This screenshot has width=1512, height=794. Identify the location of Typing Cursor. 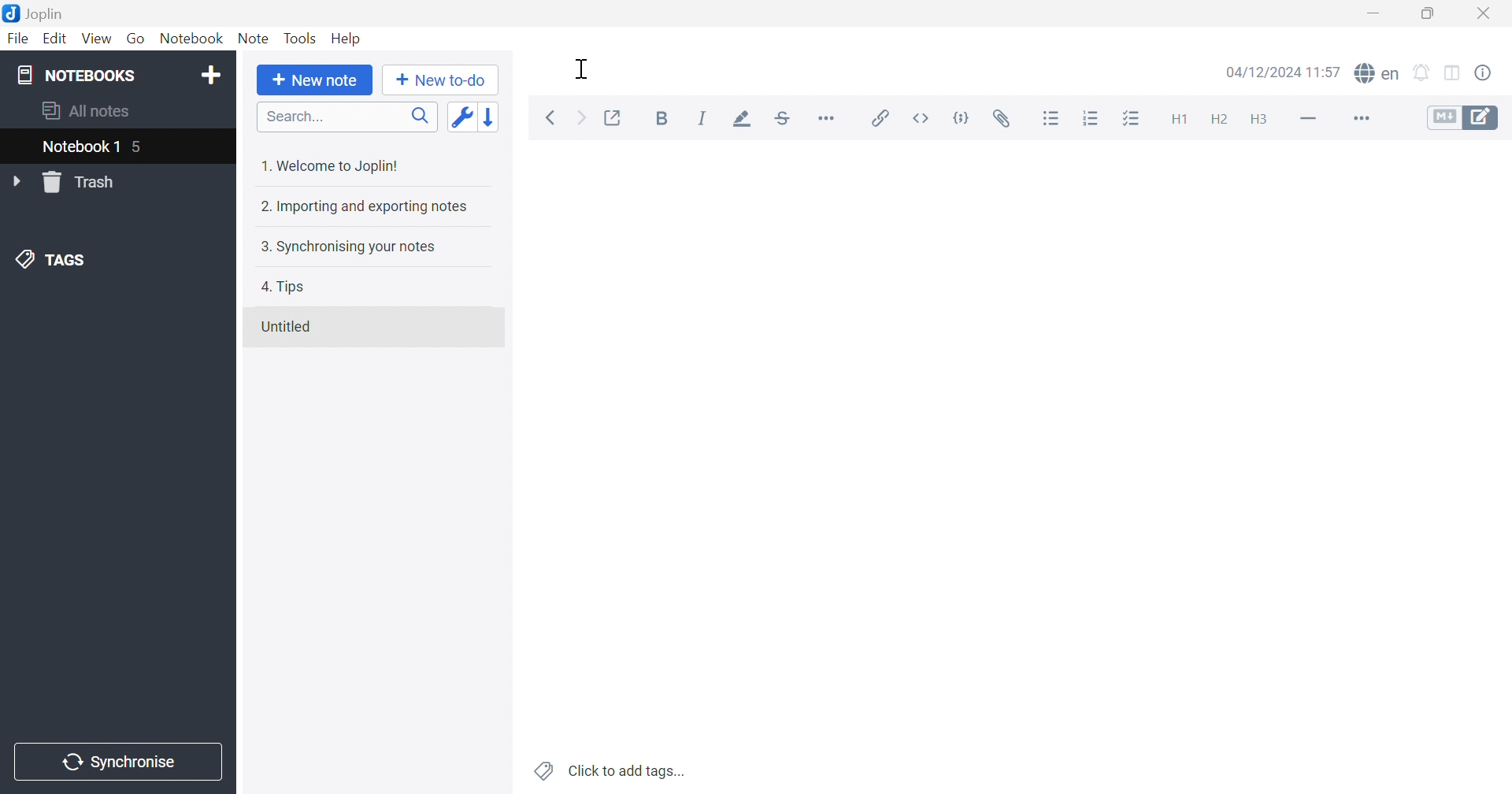
(584, 68).